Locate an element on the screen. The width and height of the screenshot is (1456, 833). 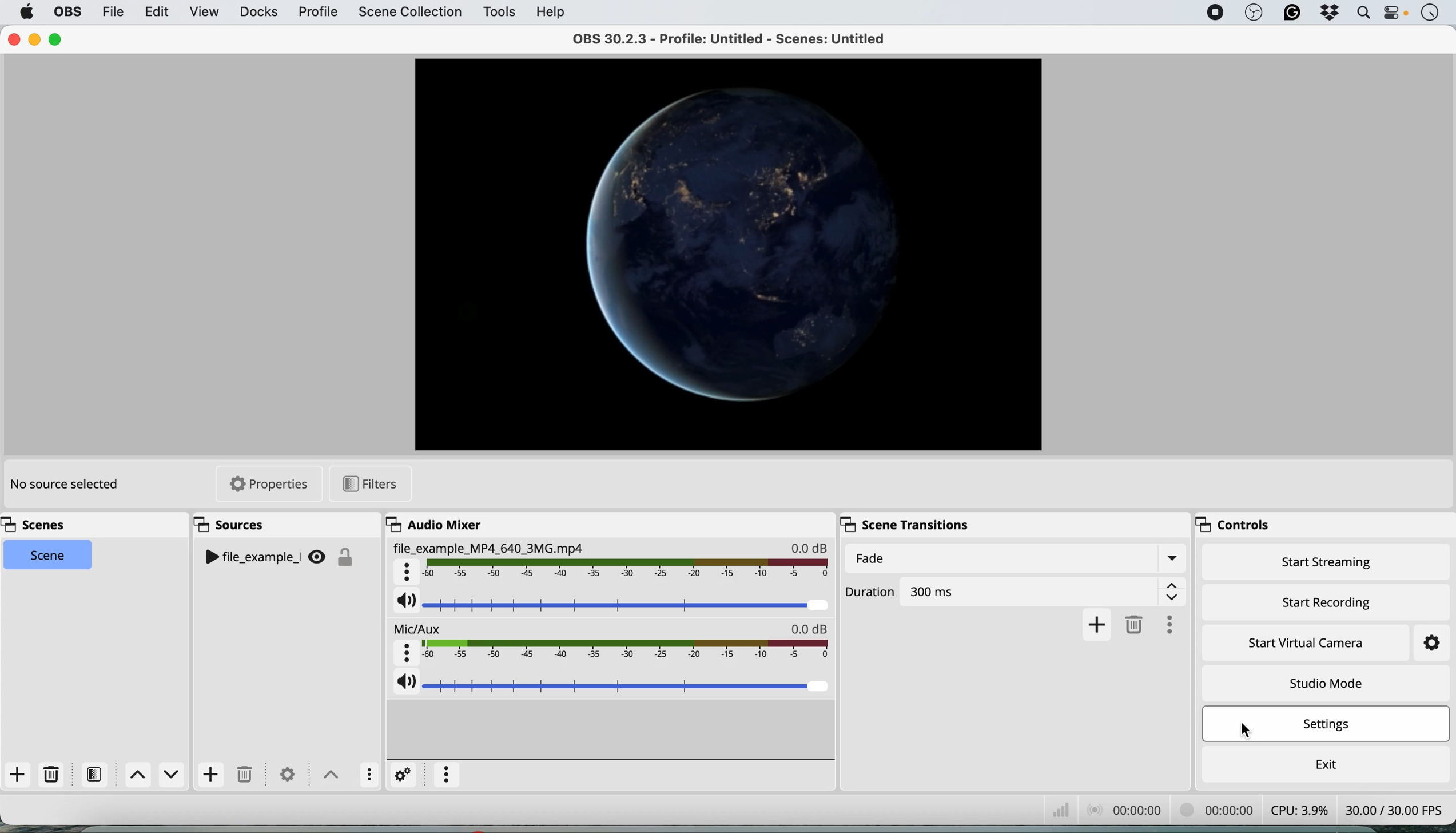
start recording is located at coordinates (1327, 600).